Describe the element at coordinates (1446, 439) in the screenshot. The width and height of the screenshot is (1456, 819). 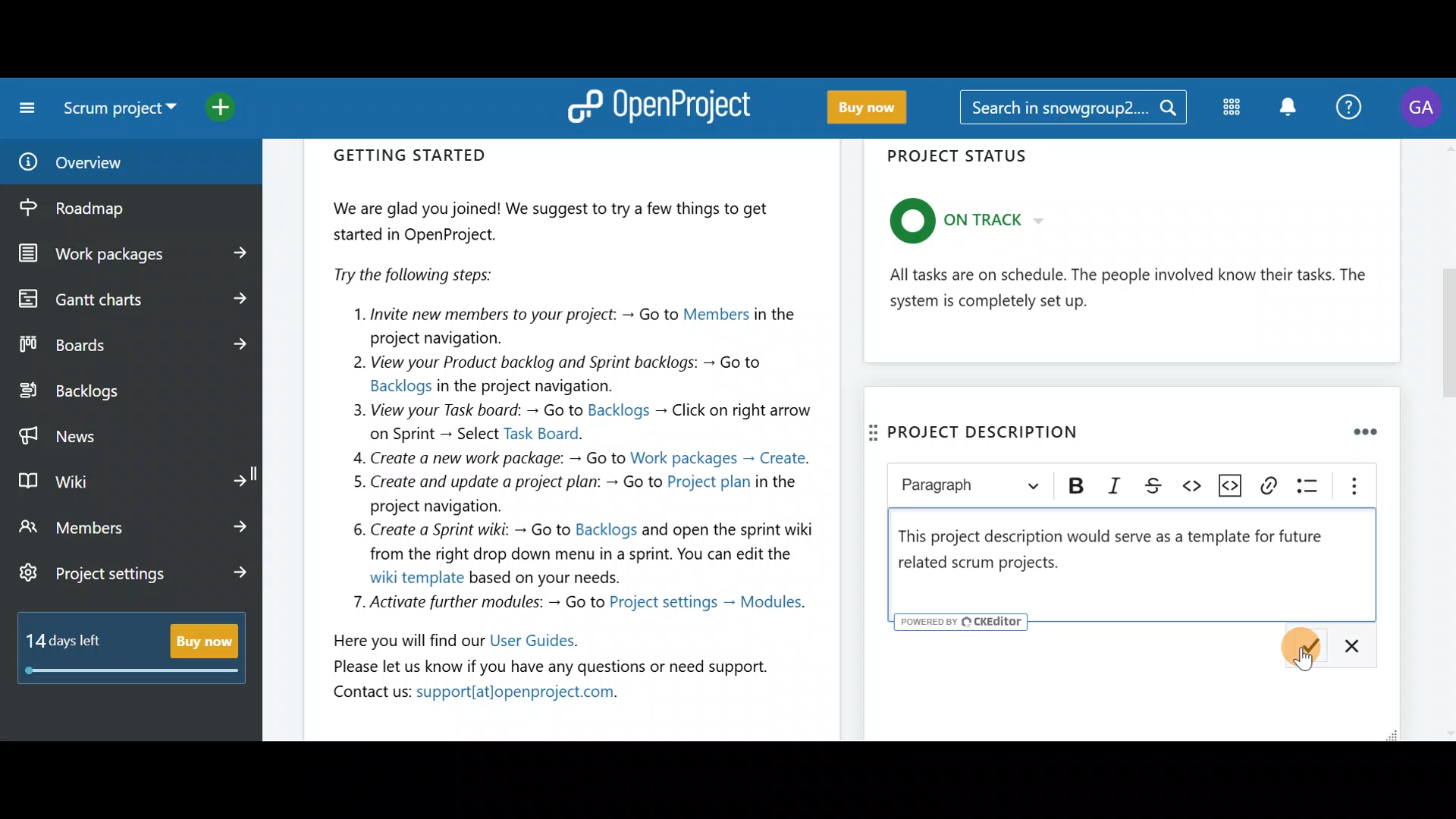
I see `scroll bar` at that location.